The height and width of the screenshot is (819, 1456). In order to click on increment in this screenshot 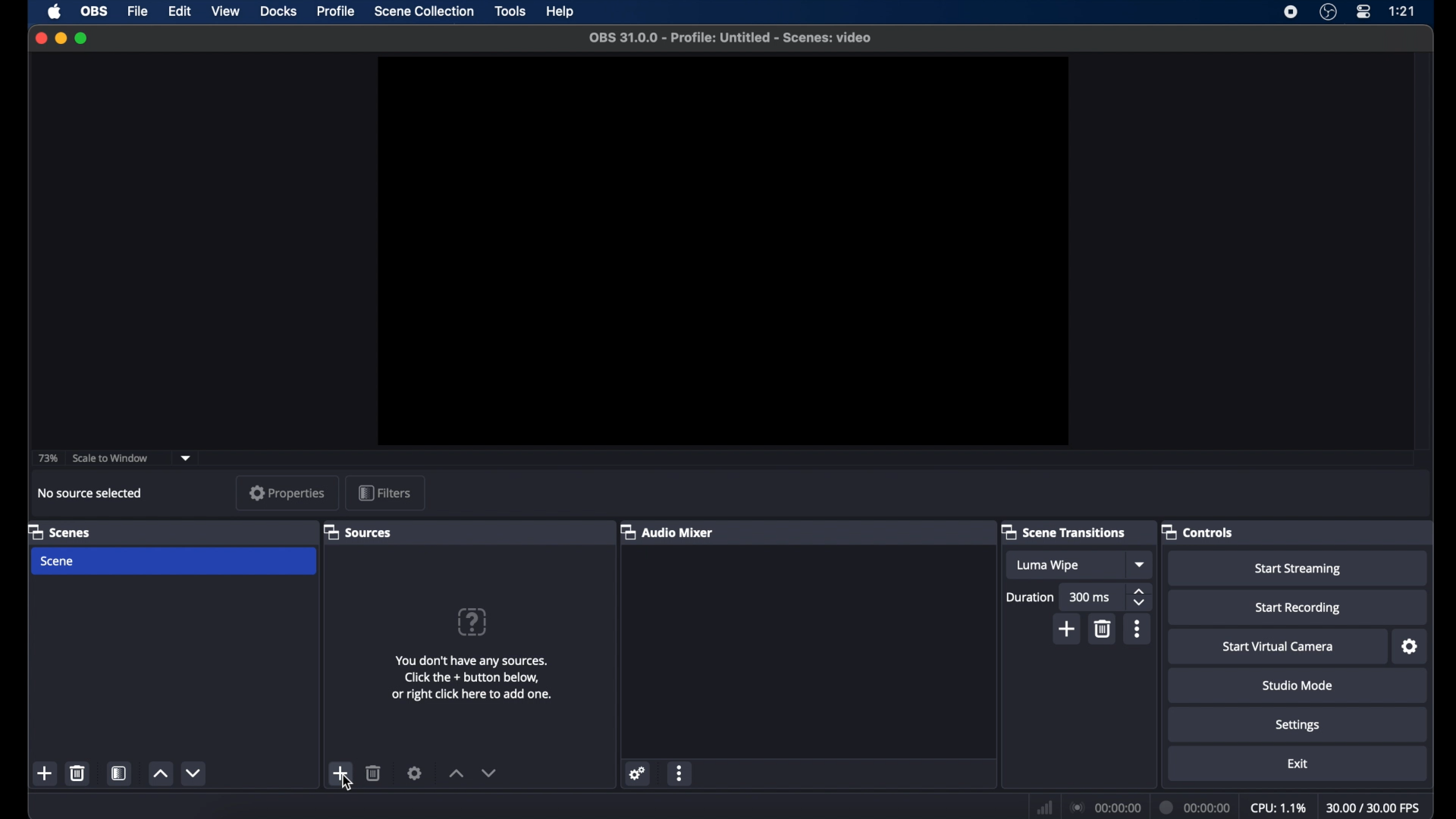, I will do `click(455, 773)`.